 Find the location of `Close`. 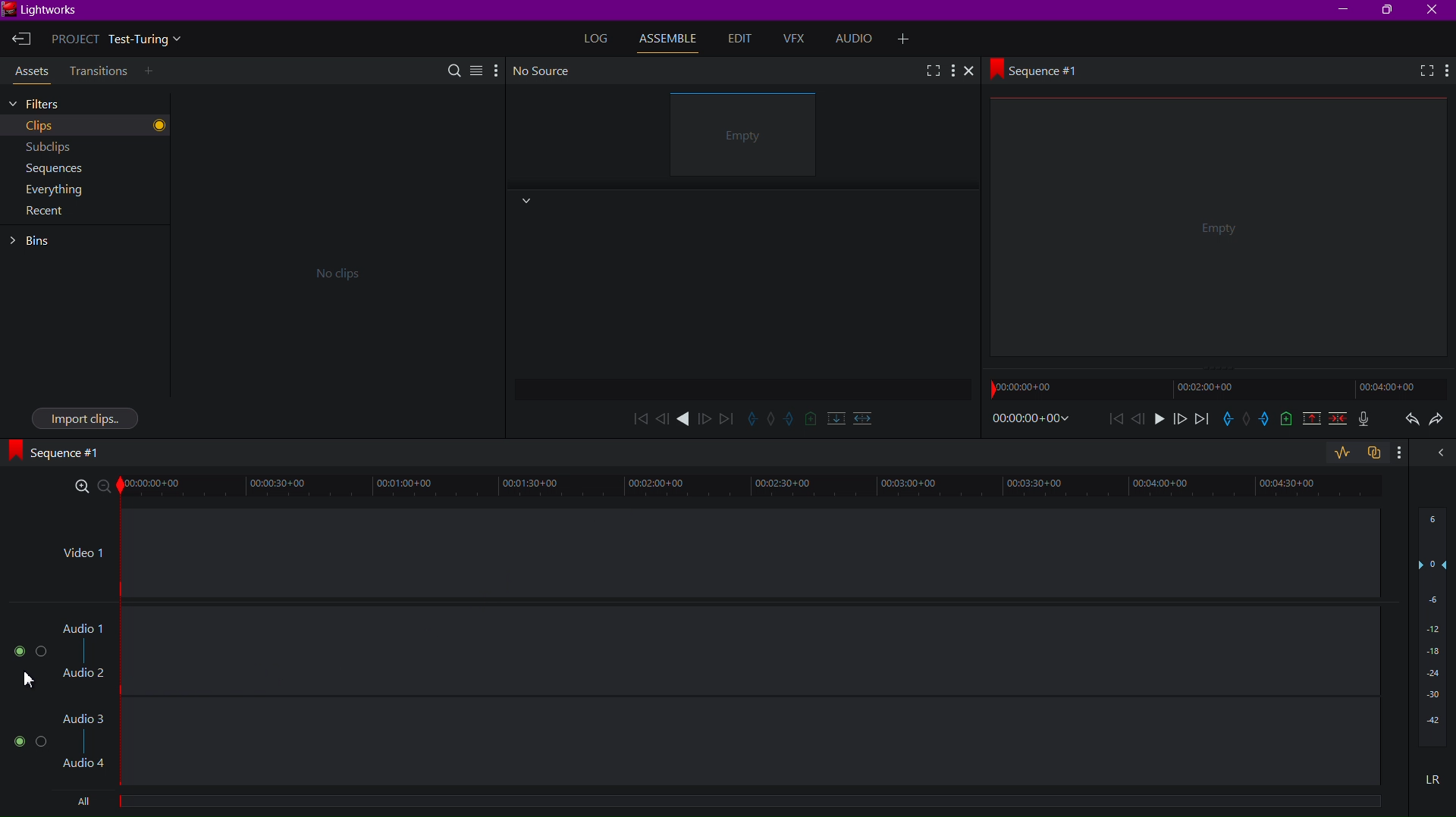

Close is located at coordinates (1435, 10).